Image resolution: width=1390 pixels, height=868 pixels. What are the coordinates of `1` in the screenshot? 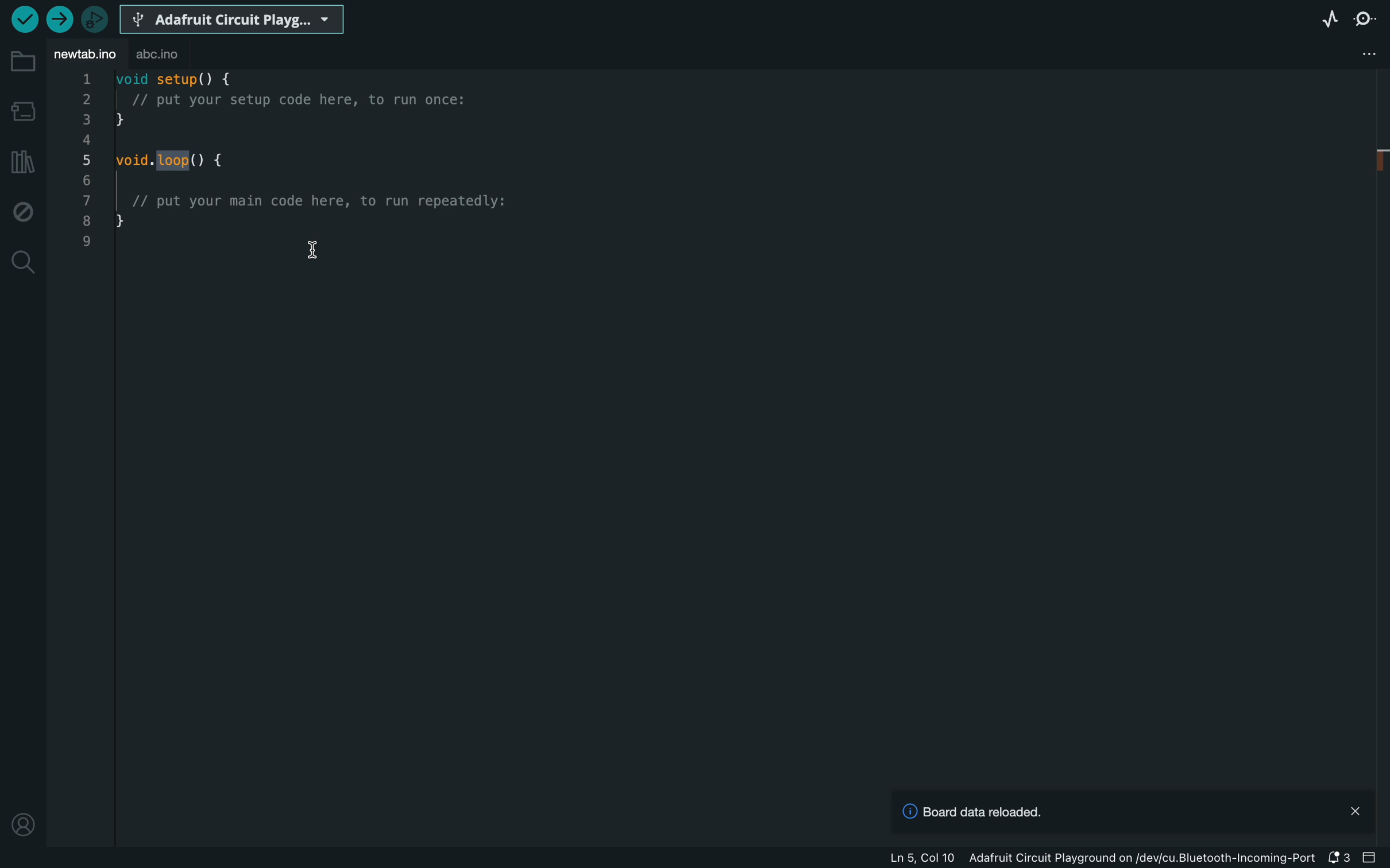 It's located at (84, 78).